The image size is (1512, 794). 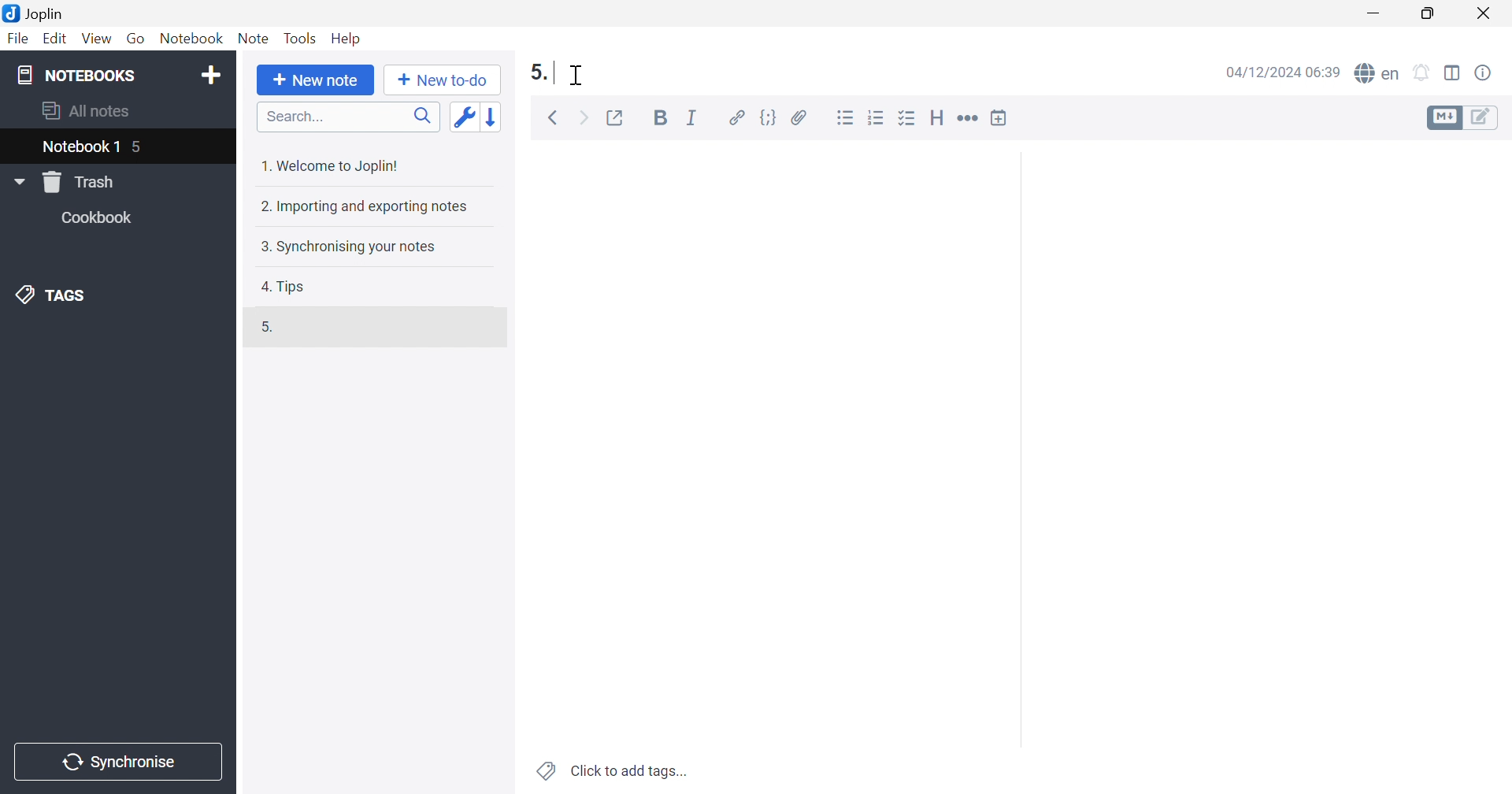 I want to click on Click to add tags, so click(x=609, y=773).